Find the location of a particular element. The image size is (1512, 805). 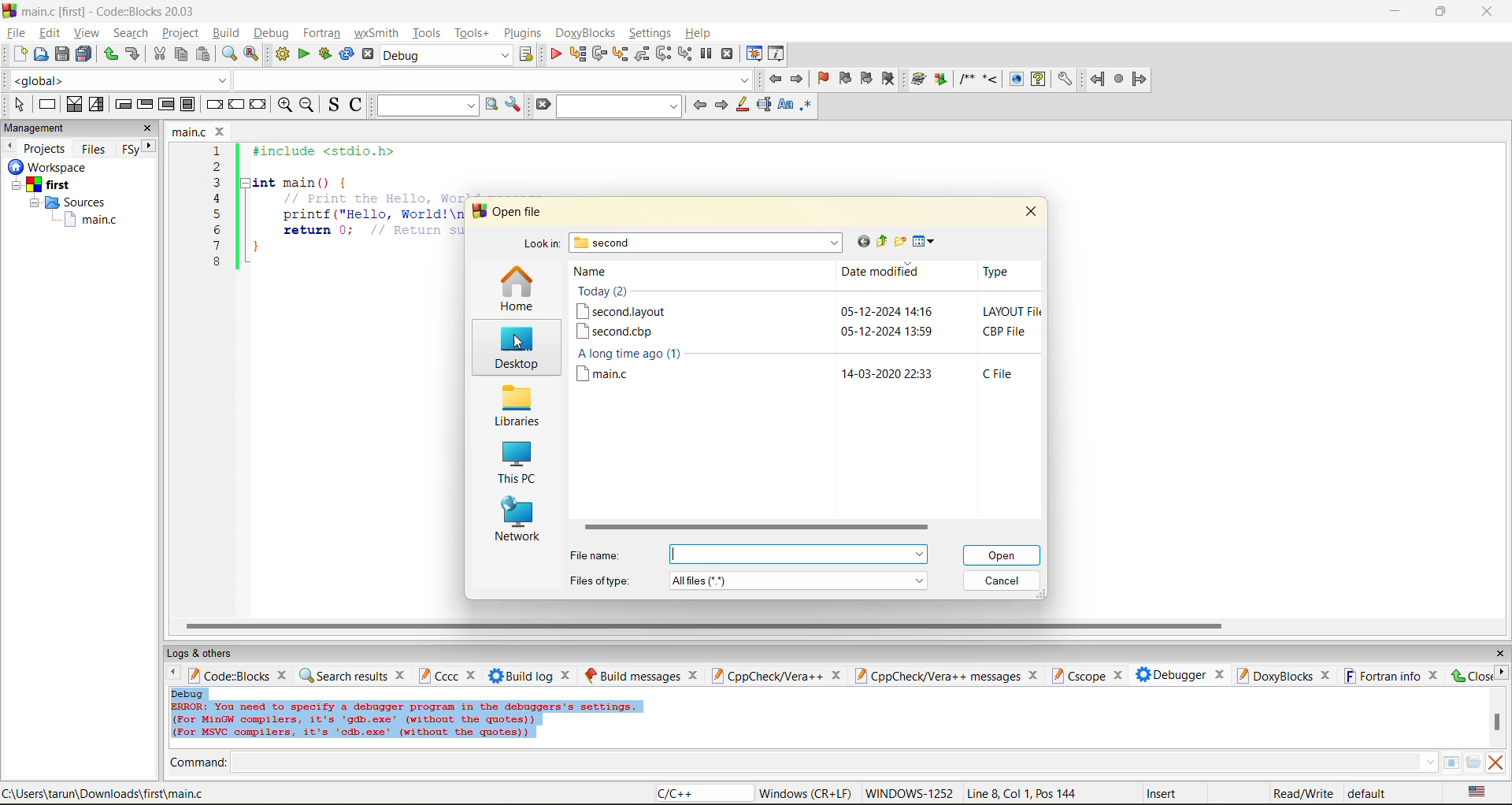

close is located at coordinates (1031, 210).